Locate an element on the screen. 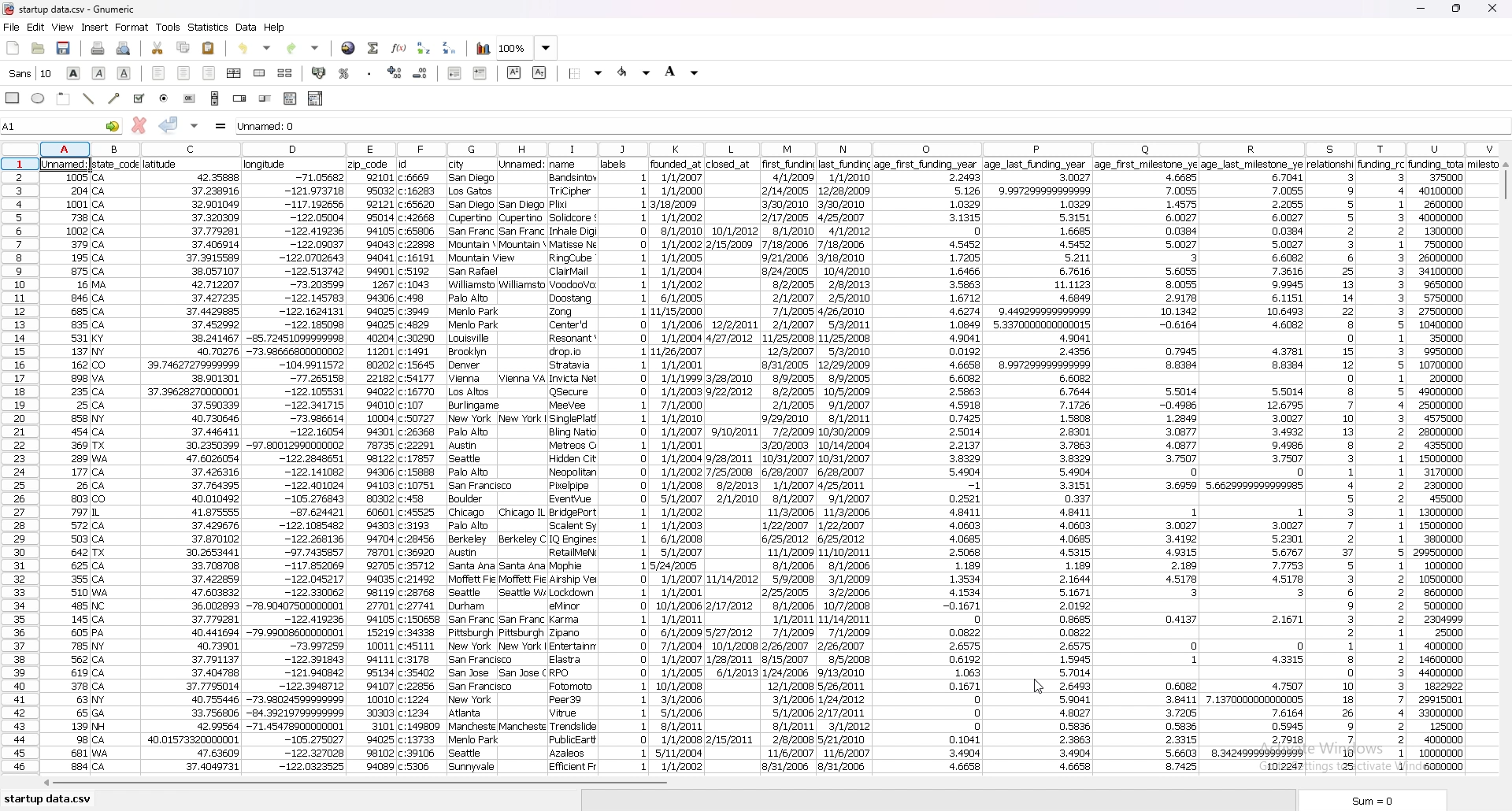 This screenshot has width=1512, height=811. arrowed line is located at coordinates (116, 98).